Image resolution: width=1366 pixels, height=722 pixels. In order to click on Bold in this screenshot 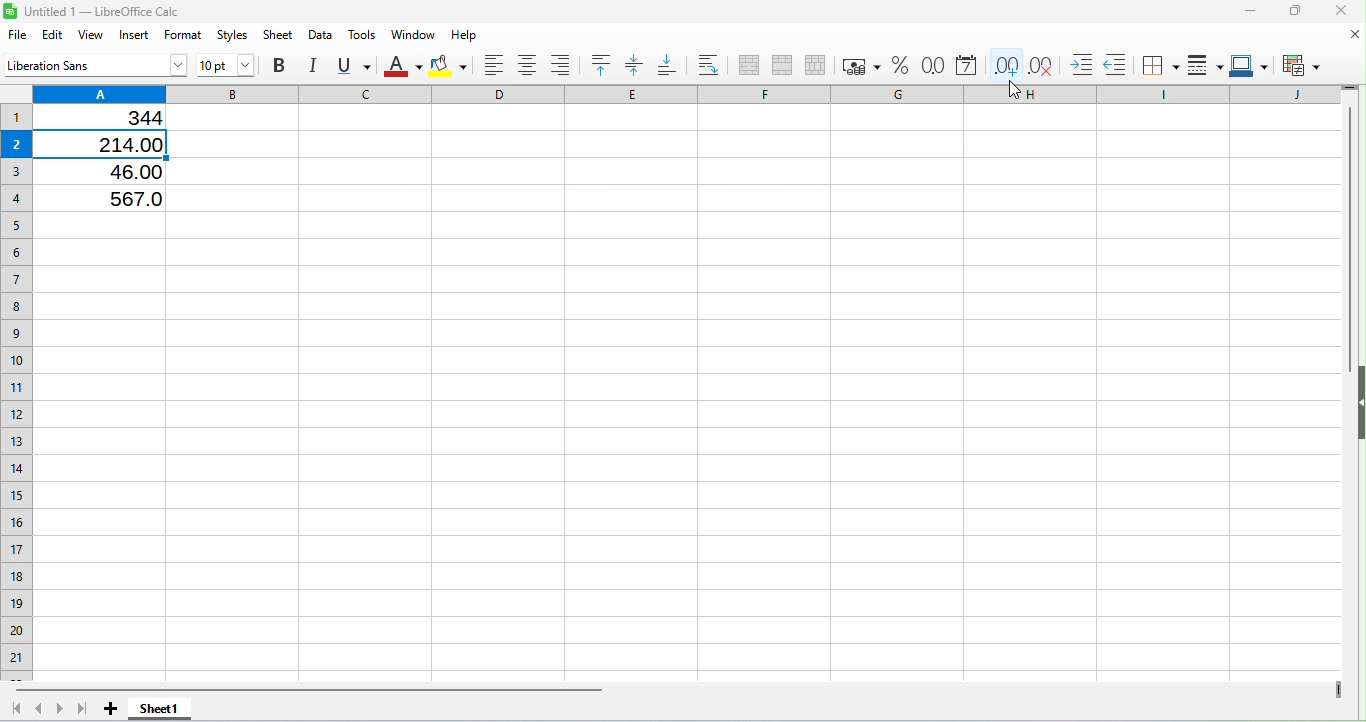, I will do `click(284, 64)`.